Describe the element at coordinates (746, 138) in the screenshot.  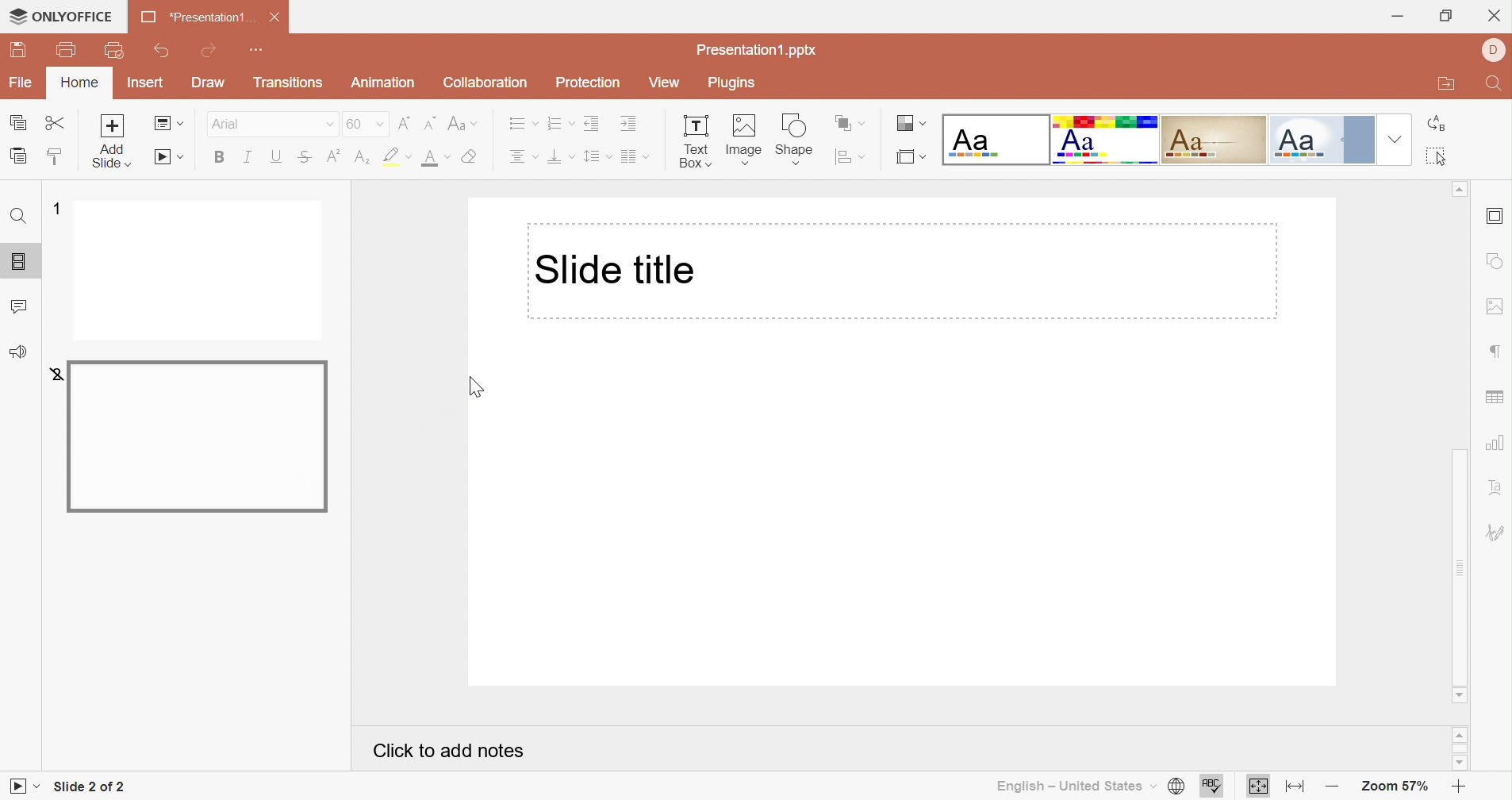
I see `Image` at that location.